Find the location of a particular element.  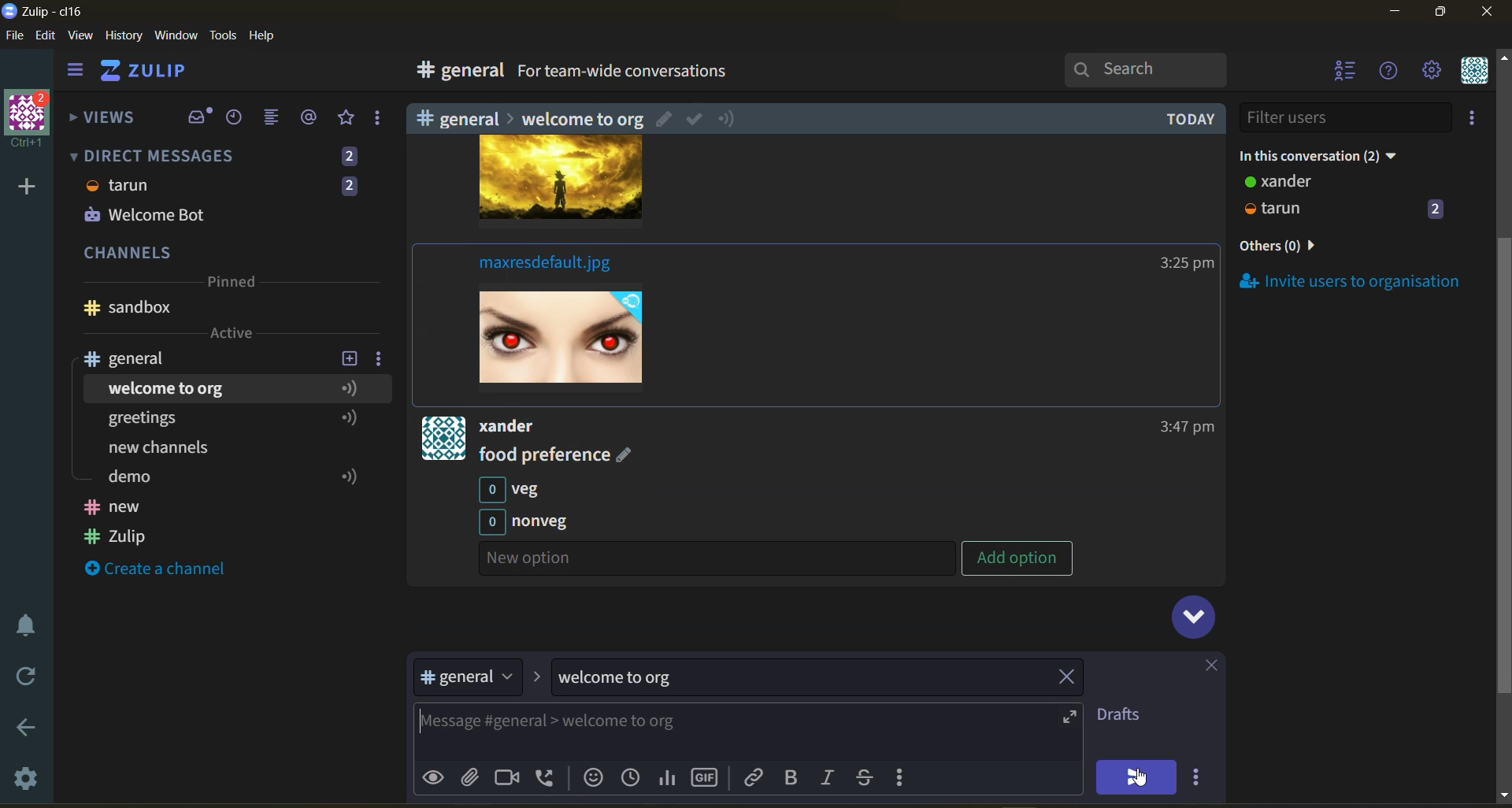

create a channel is located at coordinates (165, 570).